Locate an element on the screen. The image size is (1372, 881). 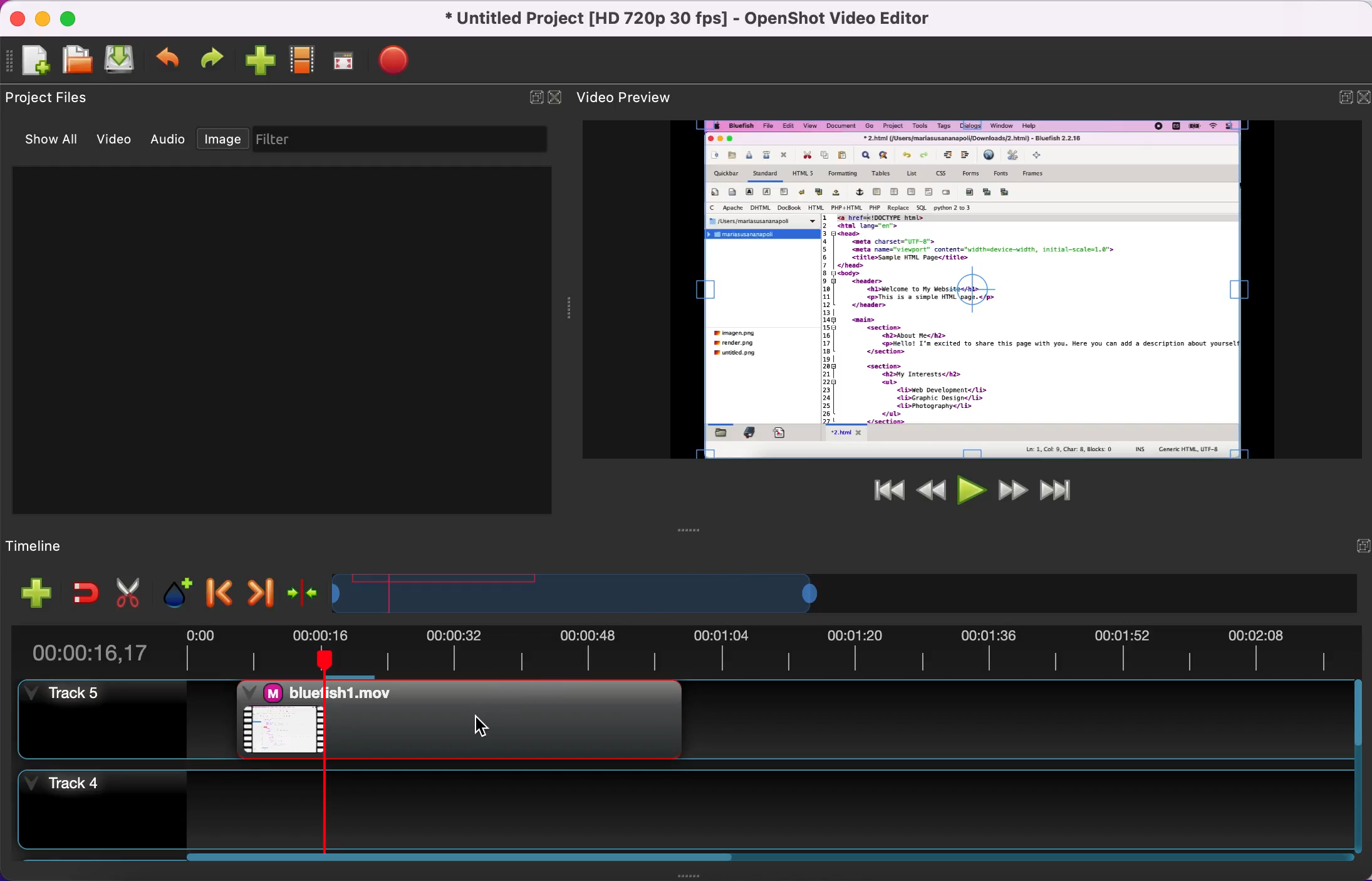
export video is located at coordinates (402, 59).